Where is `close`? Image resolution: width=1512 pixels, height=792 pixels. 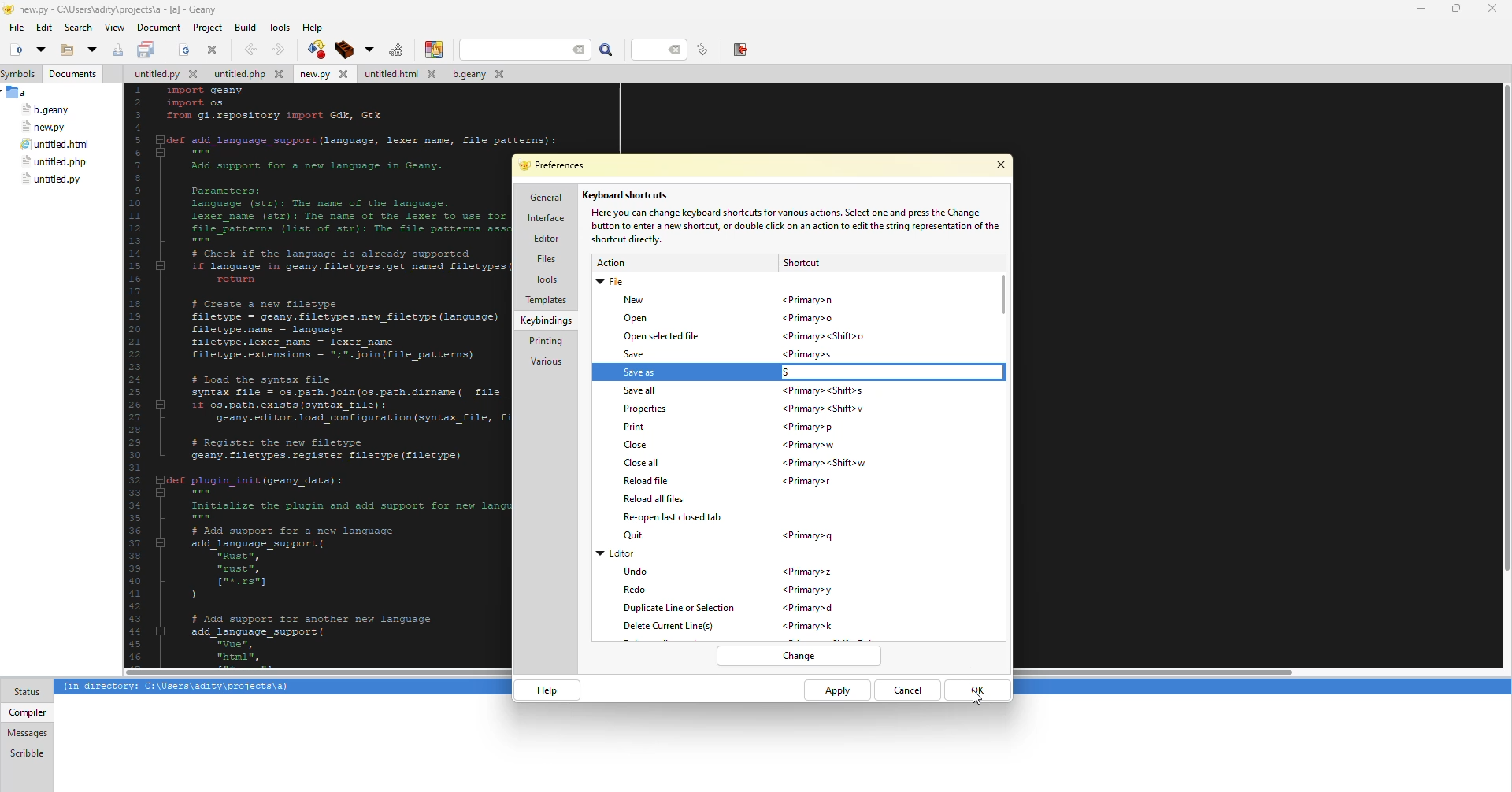 close is located at coordinates (1492, 9).